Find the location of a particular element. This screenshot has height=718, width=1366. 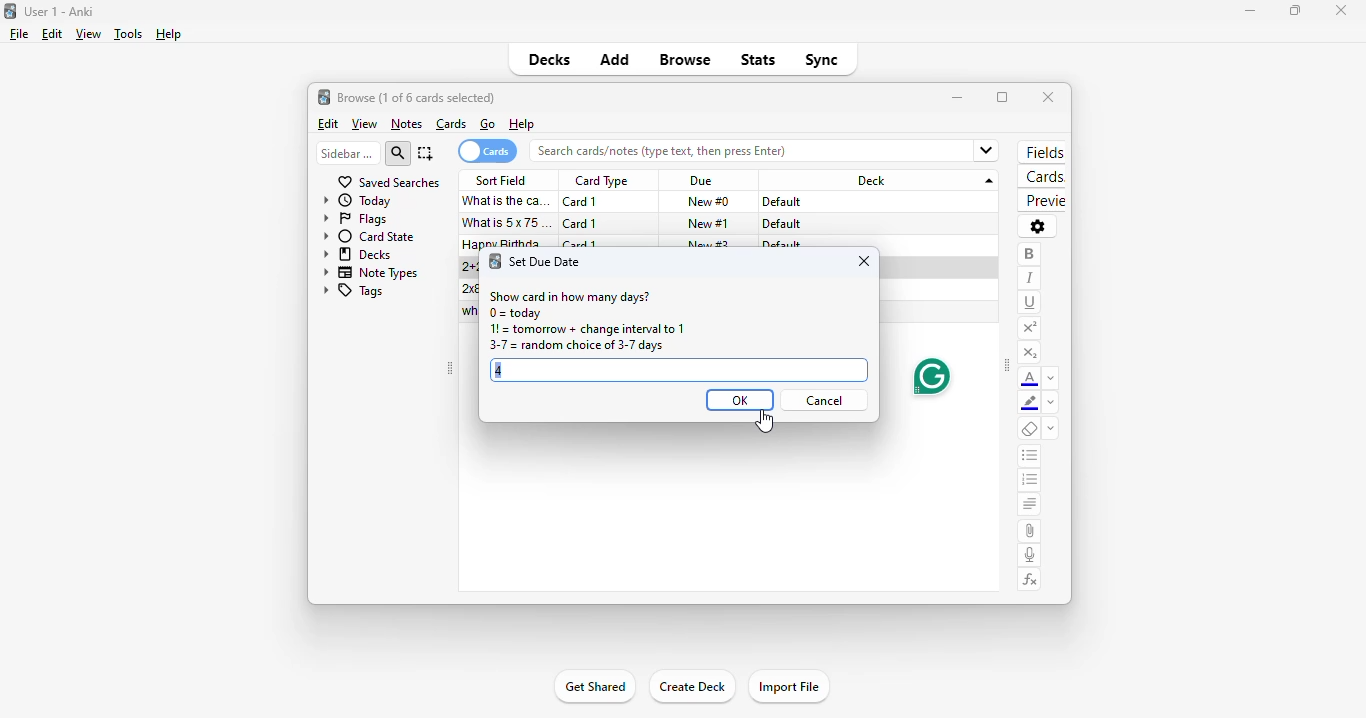

minimize is located at coordinates (1244, 11).